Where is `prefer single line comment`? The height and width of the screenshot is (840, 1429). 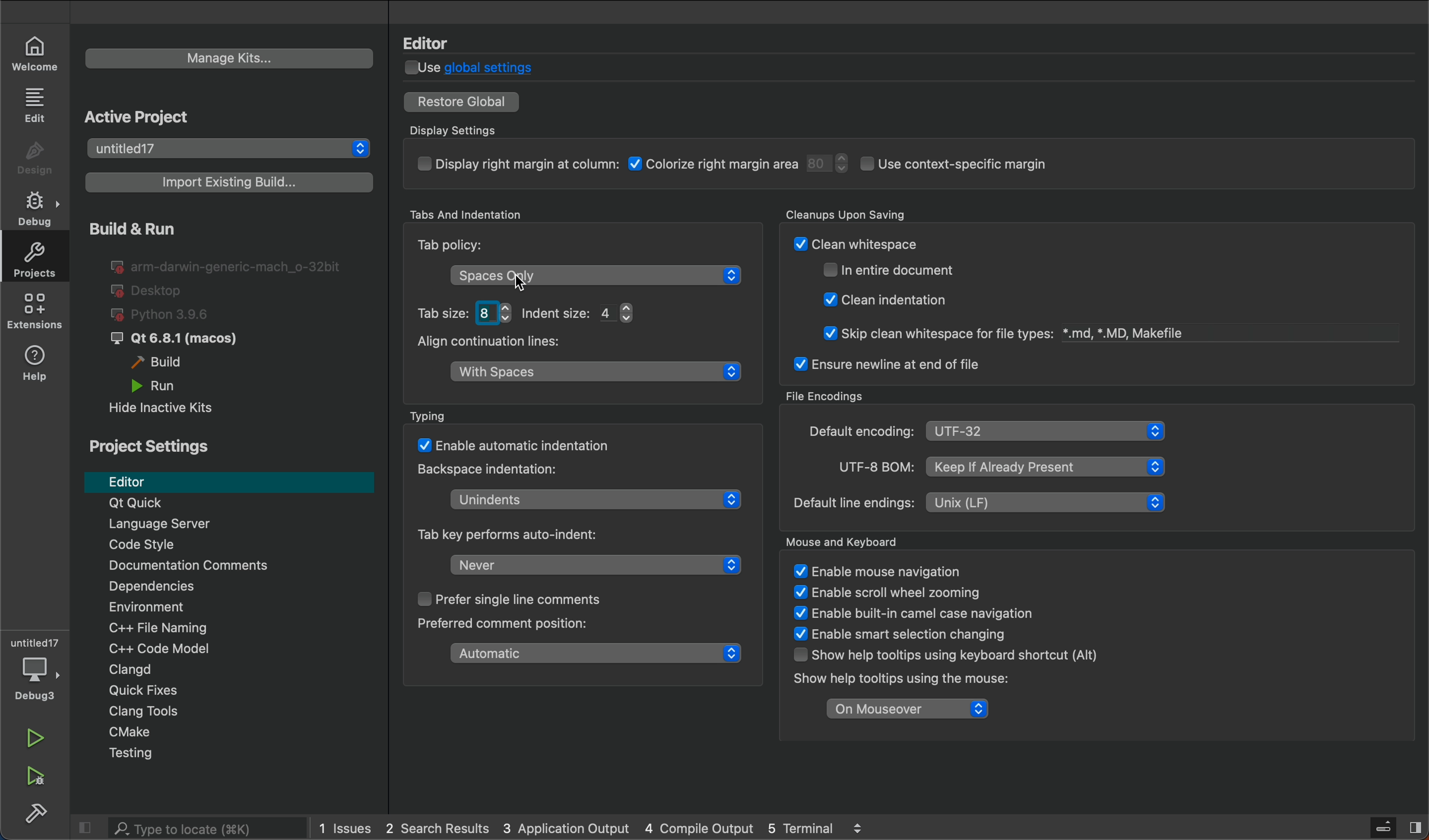
prefer single line comment is located at coordinates (508, 602).